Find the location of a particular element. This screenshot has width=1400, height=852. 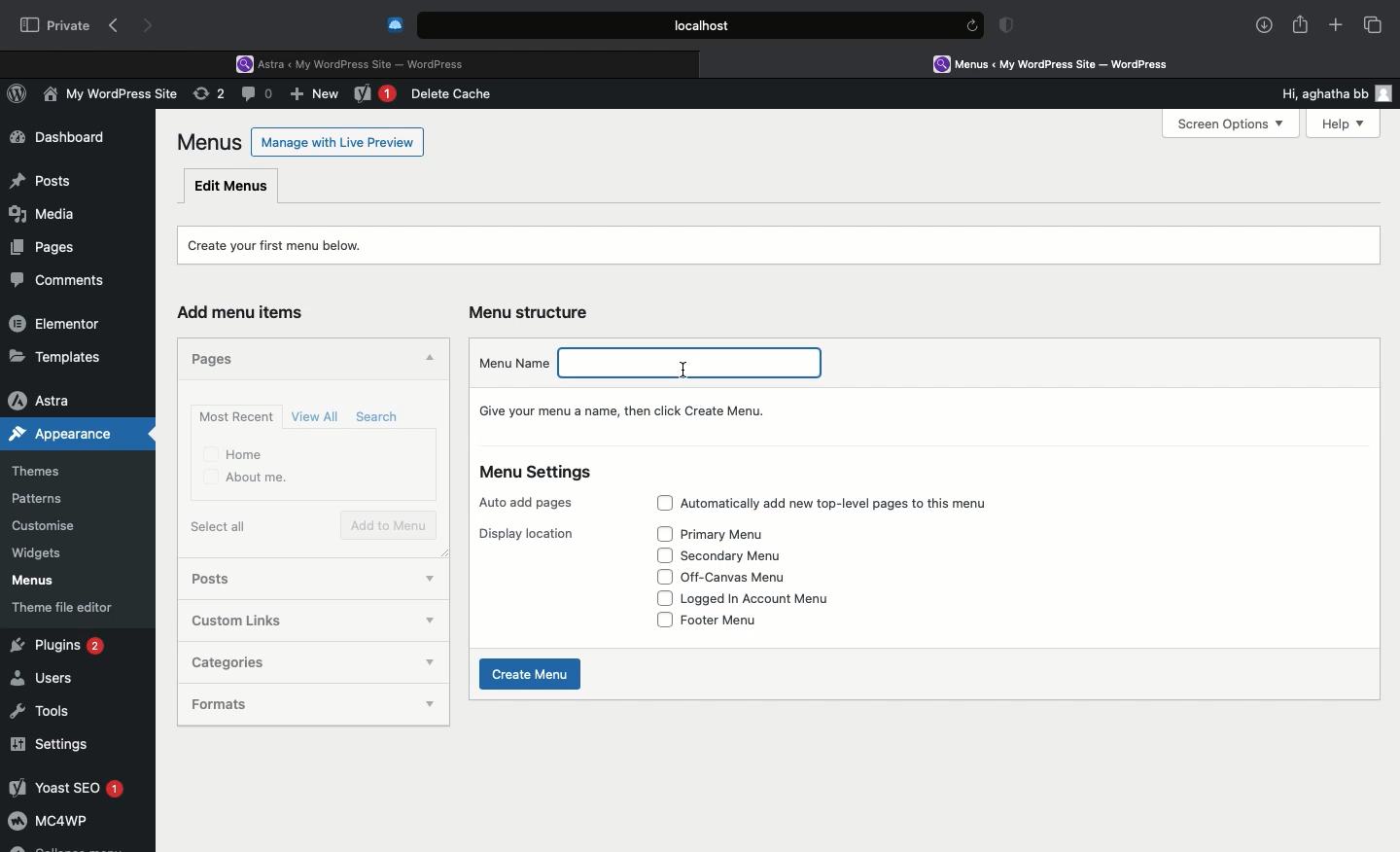

user icon is located at coordinates (1387, 93).